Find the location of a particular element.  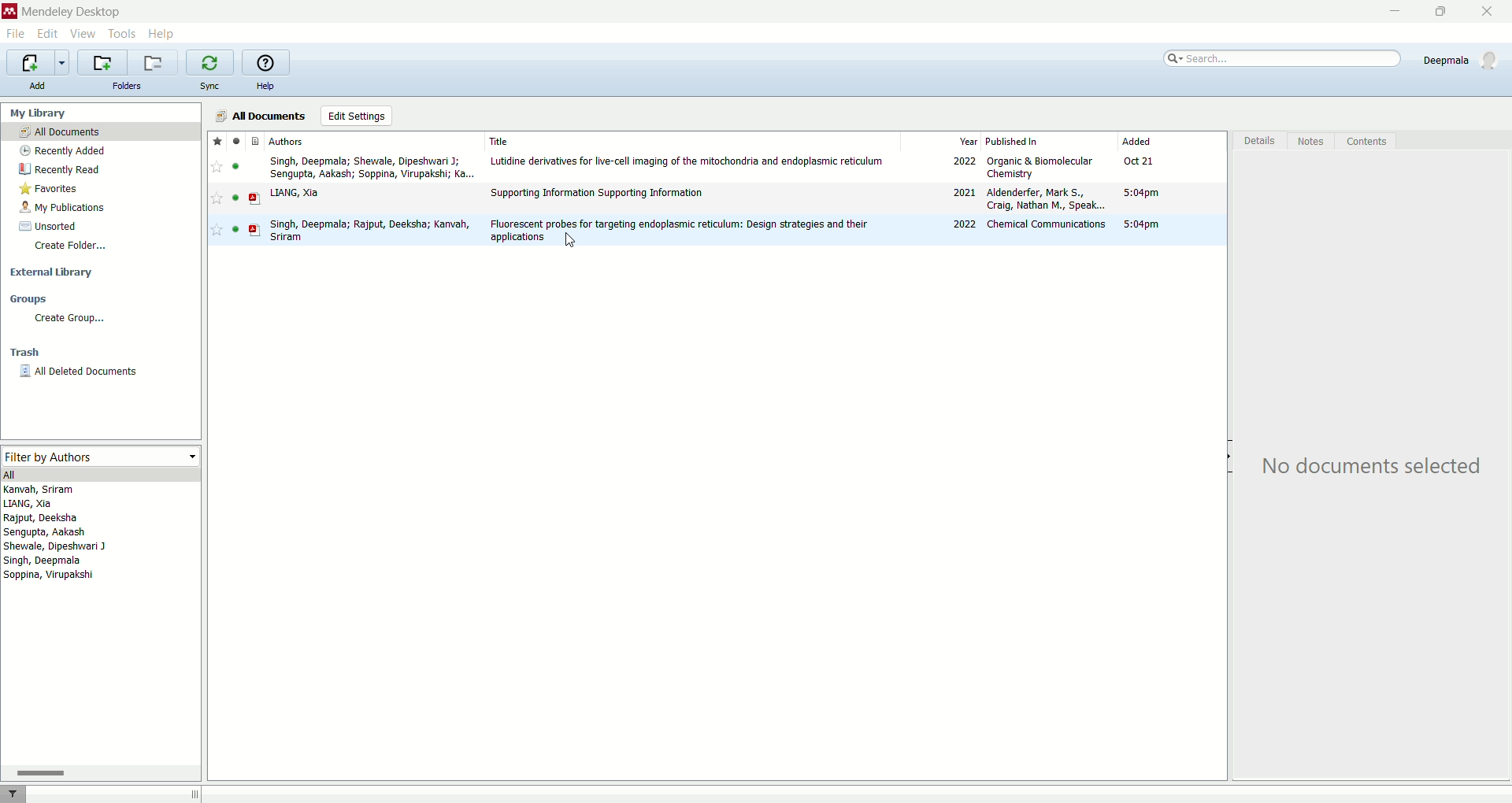

2021 is located at coordinates (961, 193).